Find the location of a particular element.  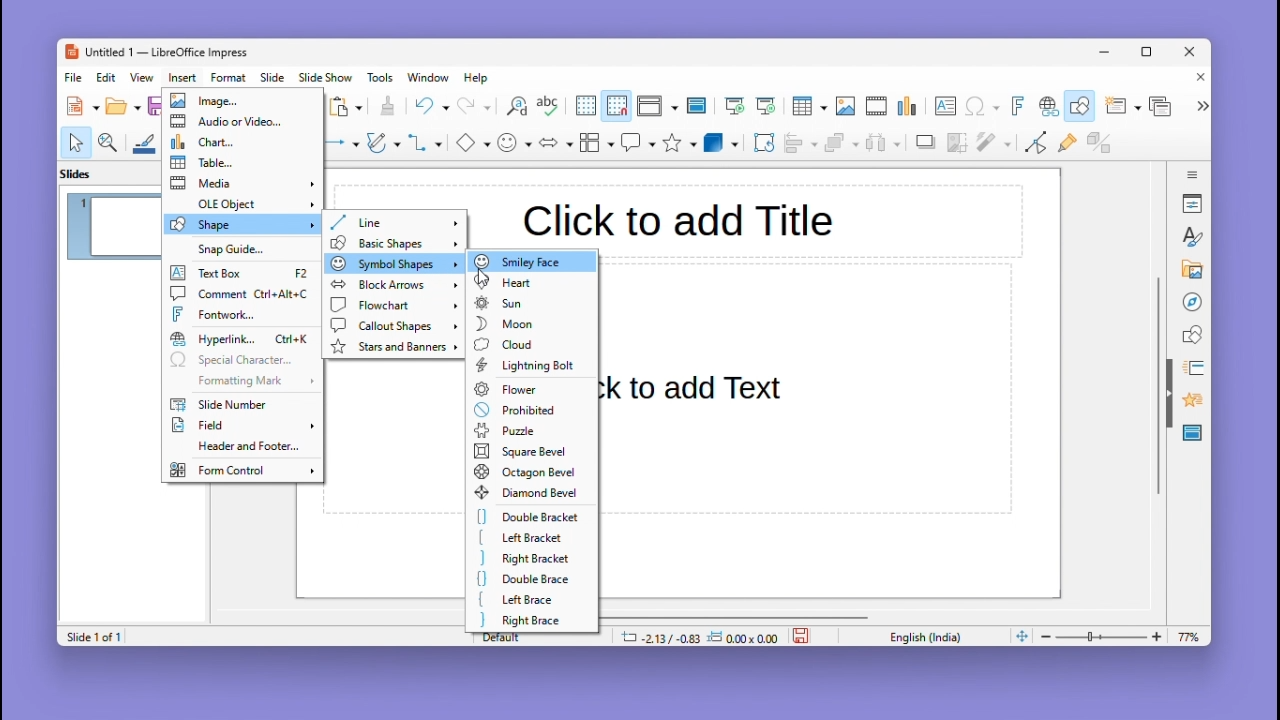

Flower is located at coordinates (533, 388).